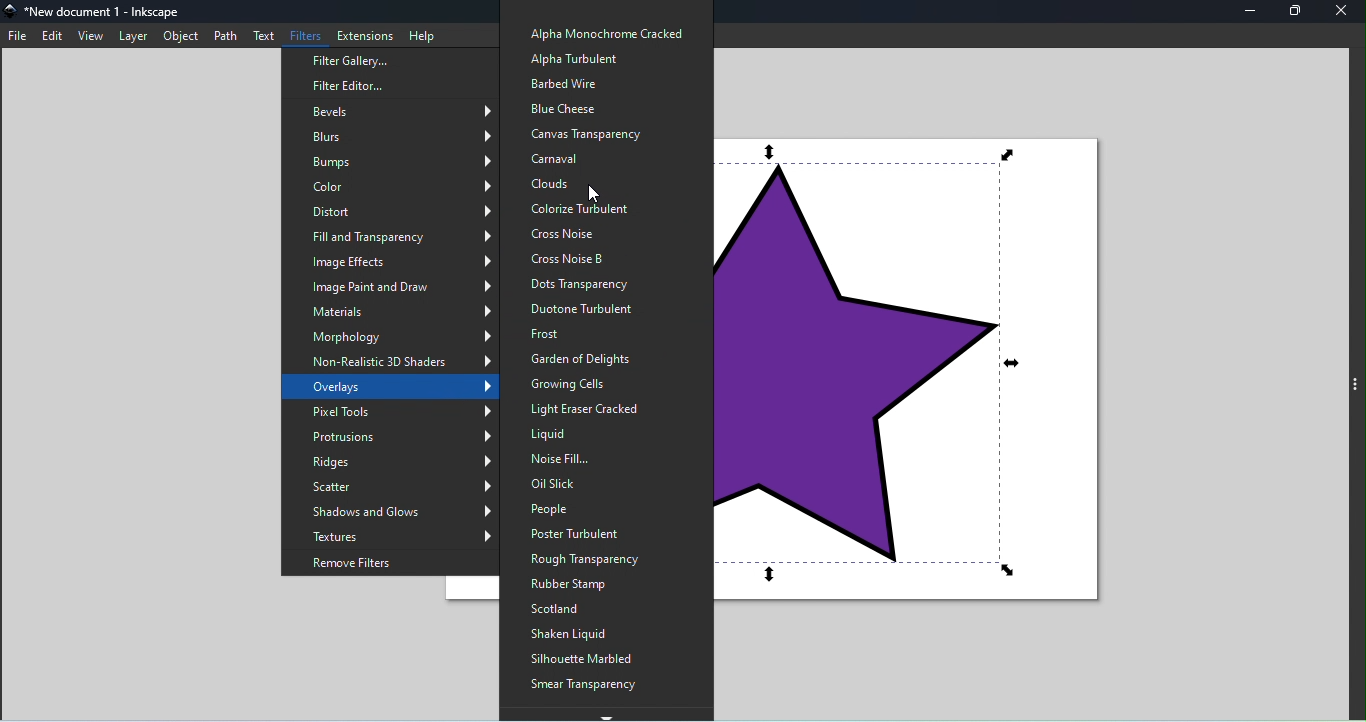 This screenshot has width=1366, height=722. Describe the element at coordinates (262, 35) in the screenshot. I see `Text` at that location.